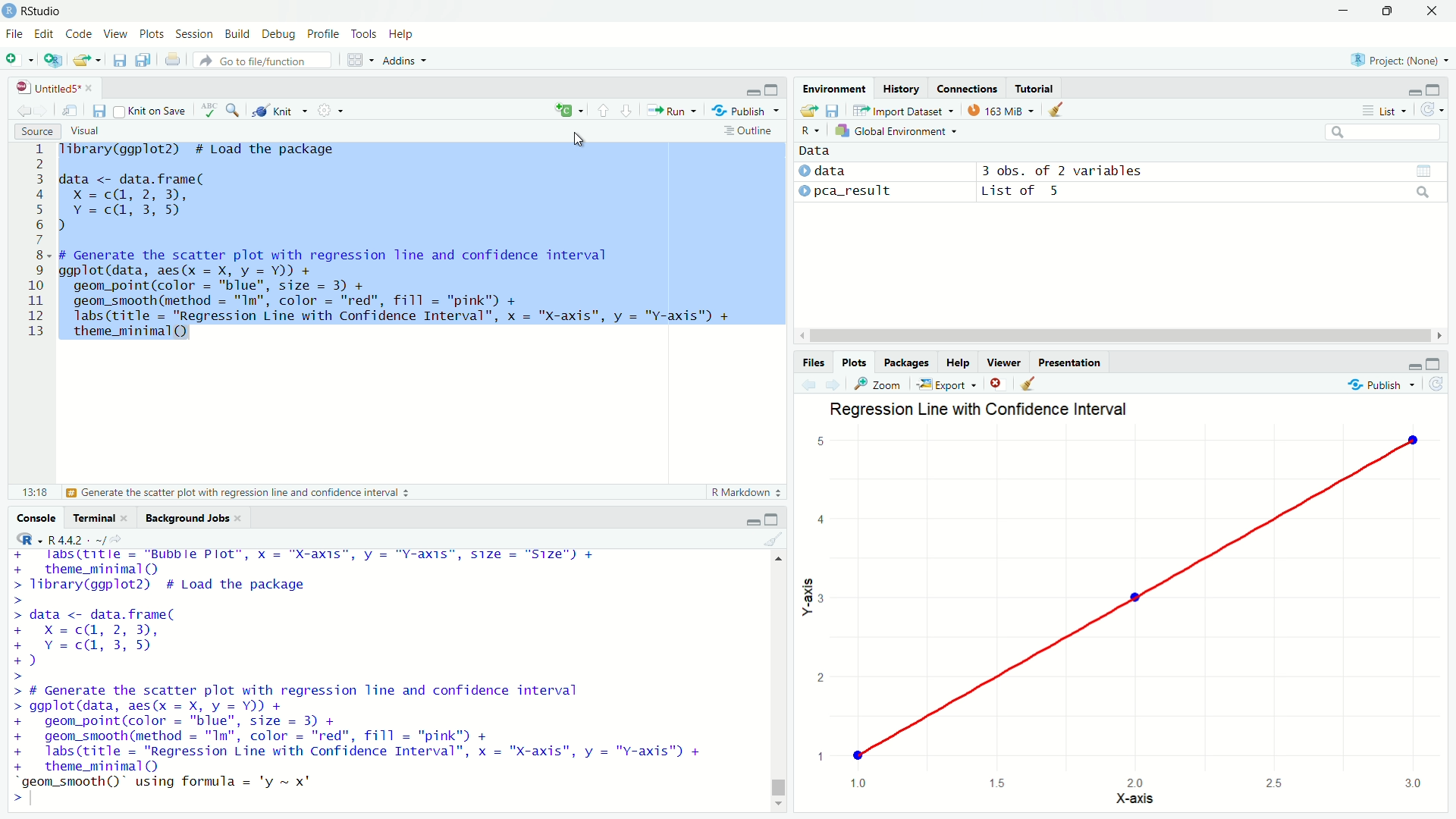 The height and width of the screenshot is (819, 1456). Describe the element at coordinates (808, 109) in the screenshot. I see `Load workspace` at that location.